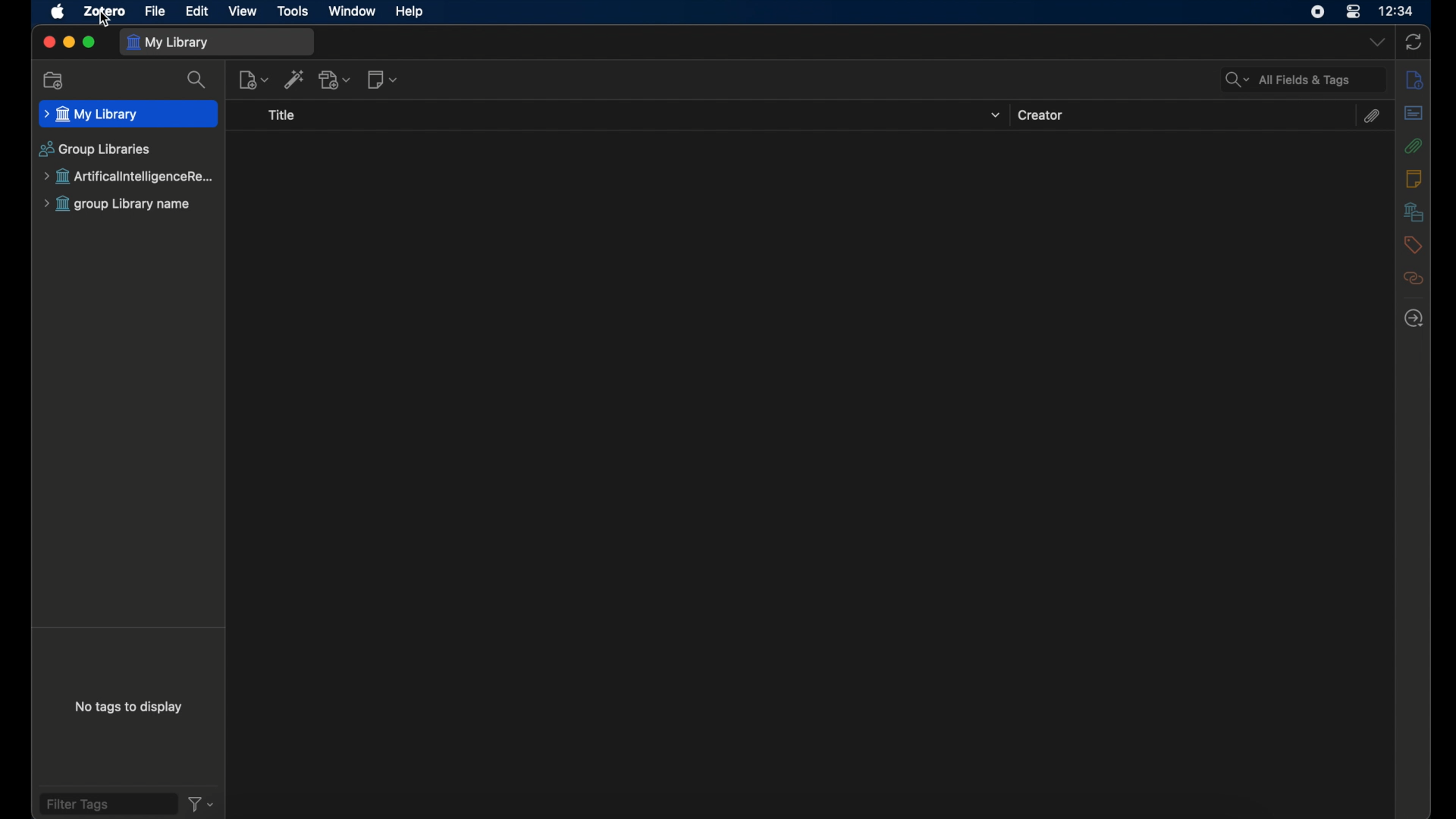  What do you see at coordinates (383, 80) in the screenshot?
I see `new note` at bounding box center [383, 80].